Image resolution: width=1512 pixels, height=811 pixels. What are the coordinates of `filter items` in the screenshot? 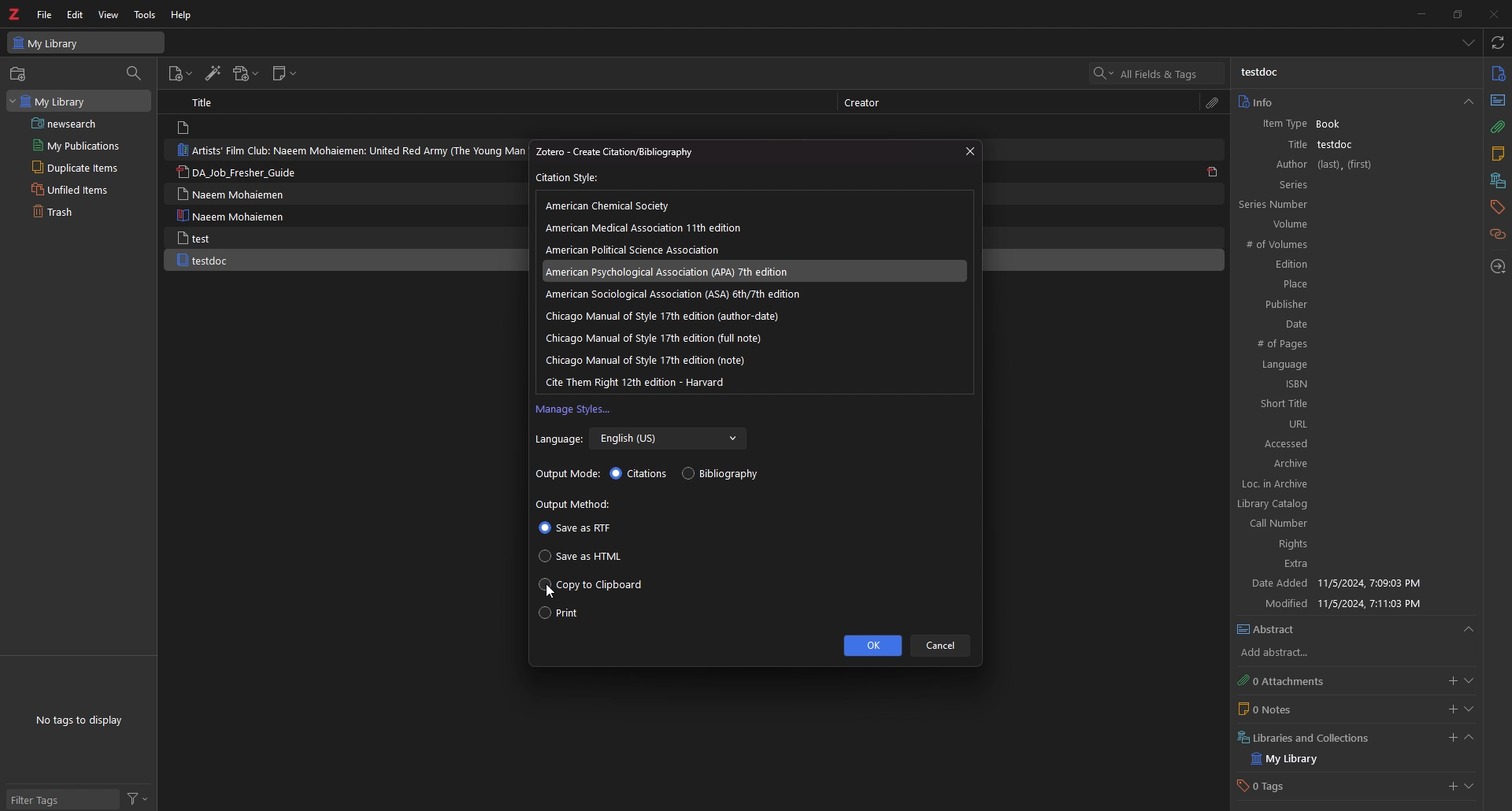 It's located at (135, 72).